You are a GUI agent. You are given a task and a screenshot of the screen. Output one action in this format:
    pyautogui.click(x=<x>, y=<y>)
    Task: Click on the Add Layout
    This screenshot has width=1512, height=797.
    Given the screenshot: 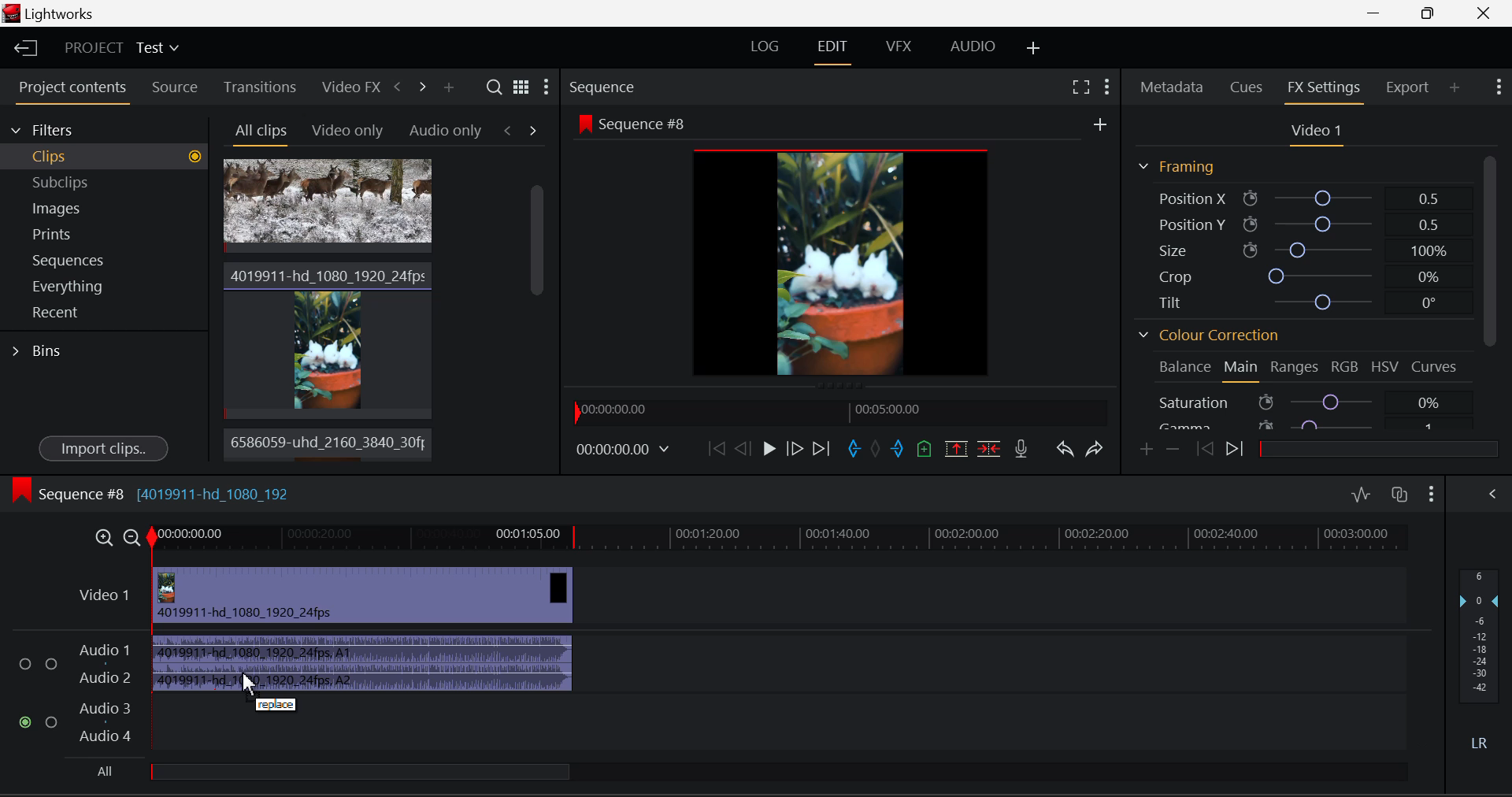 What is the action you would take?
    pyautogui.click(x=1031, y=46)
    